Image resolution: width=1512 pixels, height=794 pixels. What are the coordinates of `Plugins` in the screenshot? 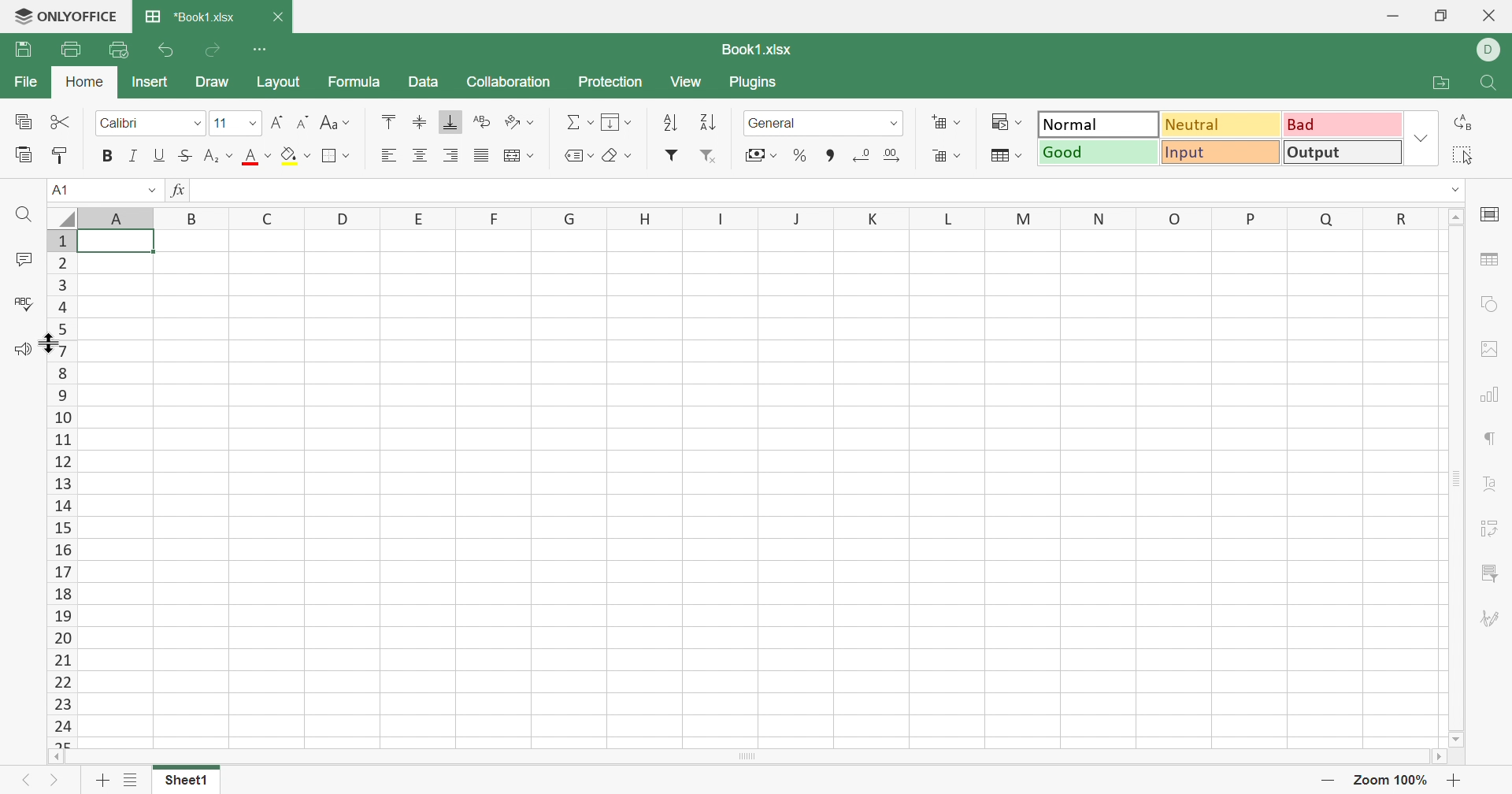 It's located at (752, 81).